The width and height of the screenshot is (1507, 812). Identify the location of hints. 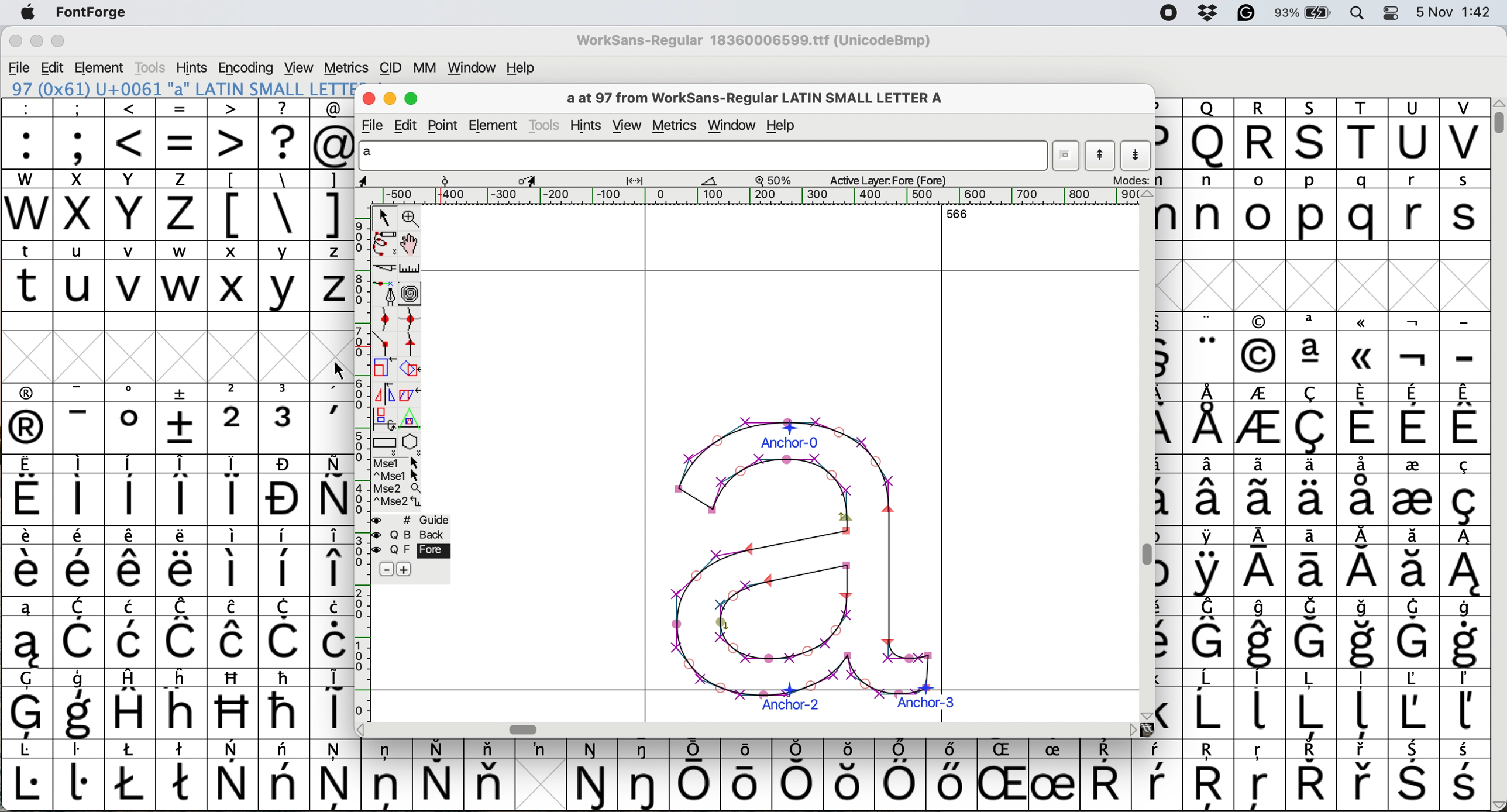
(192, 67).